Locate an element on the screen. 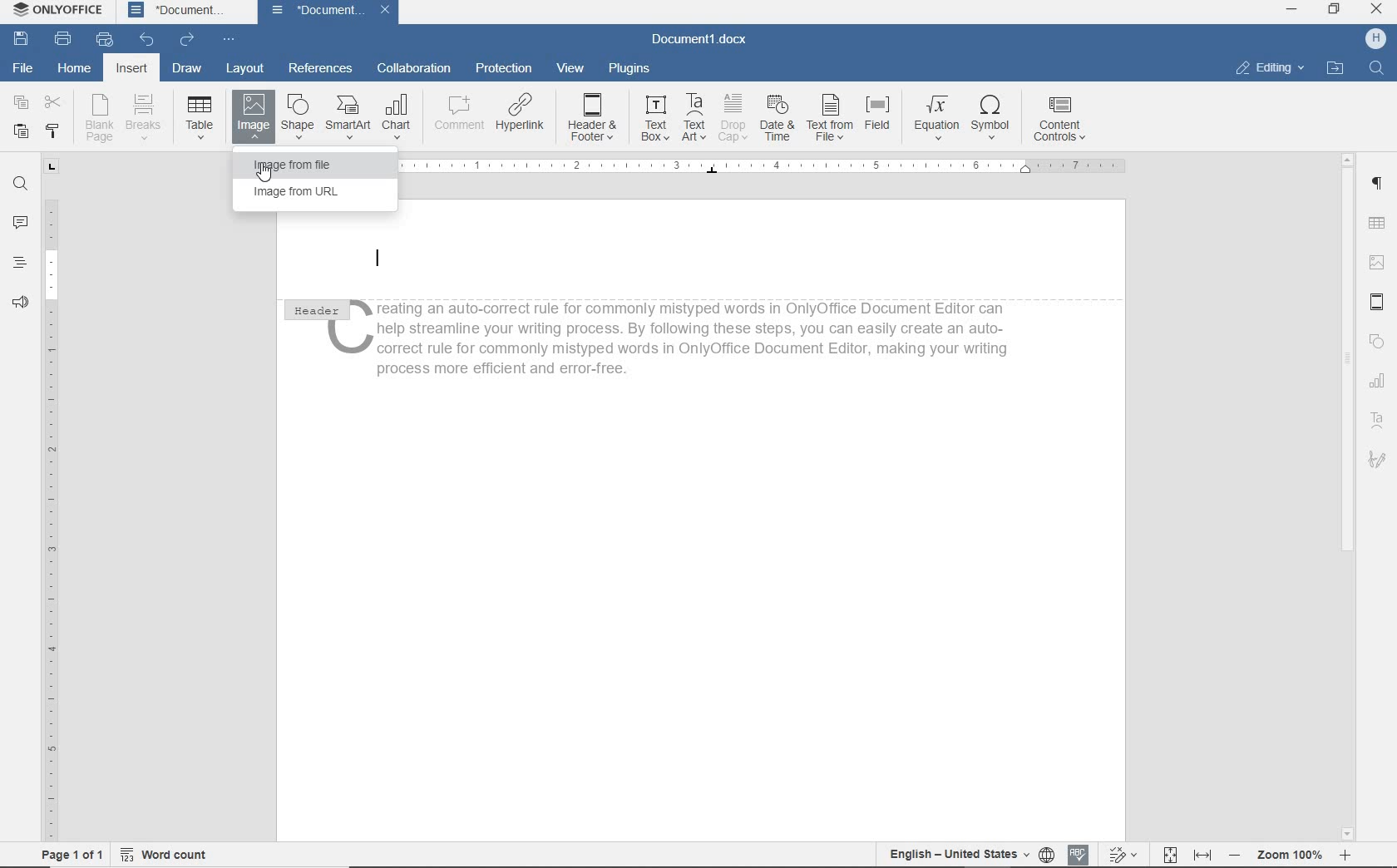  DATE & TIME is located at coordinates (779, 121).